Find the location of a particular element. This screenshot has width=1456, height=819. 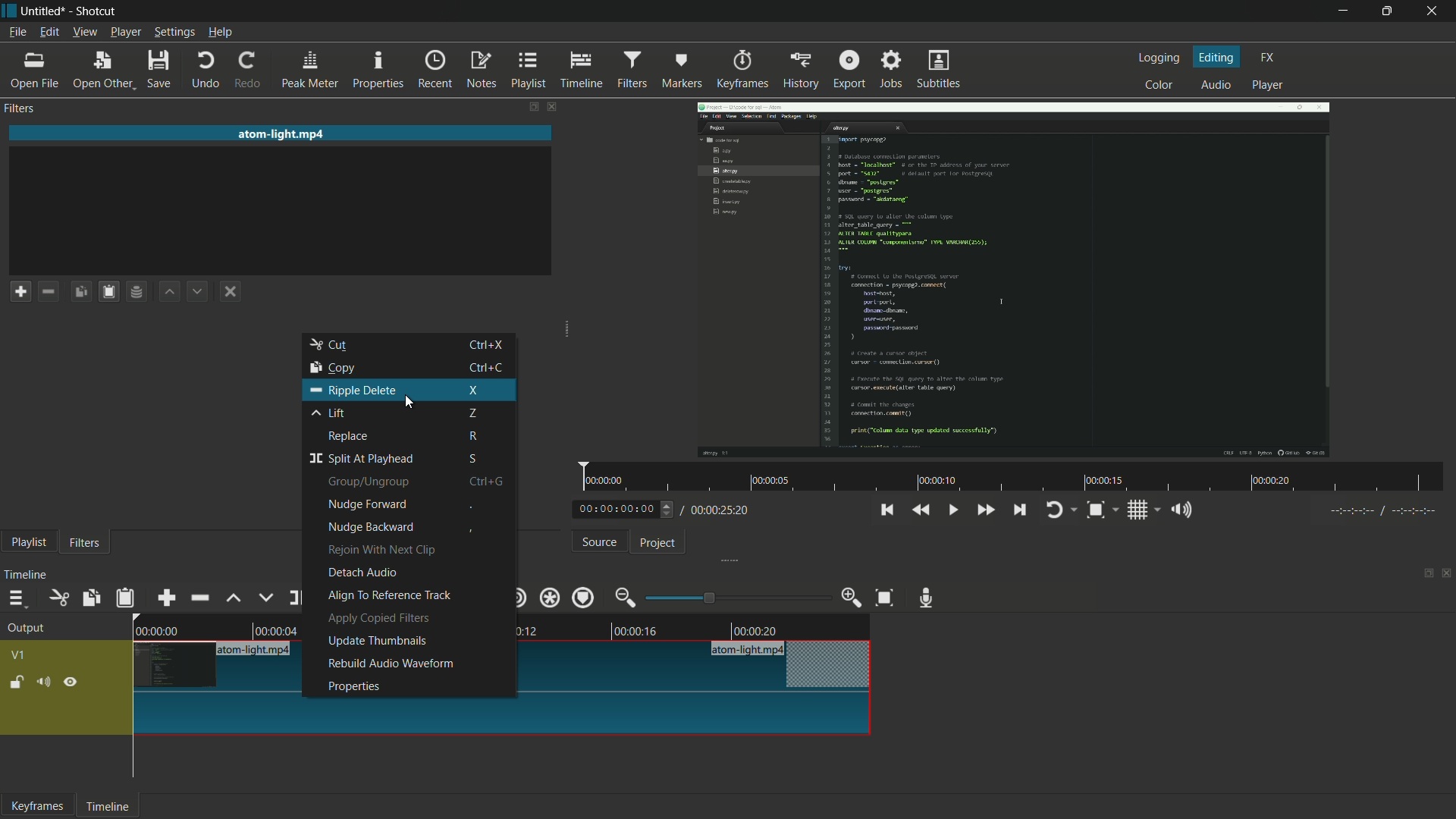

close filter pane is located at coordinates (550, 107).